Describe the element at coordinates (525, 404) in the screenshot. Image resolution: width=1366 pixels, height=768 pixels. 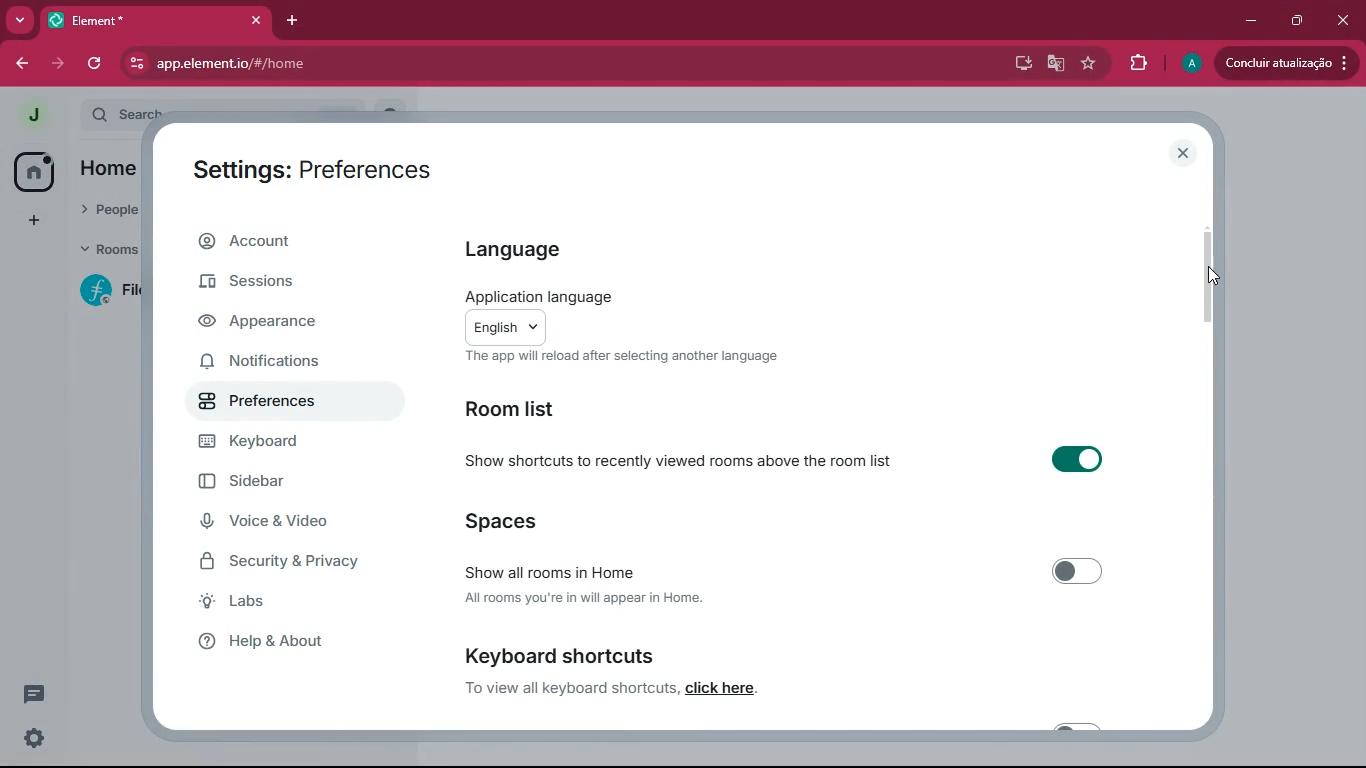
I see `room list` at that location.